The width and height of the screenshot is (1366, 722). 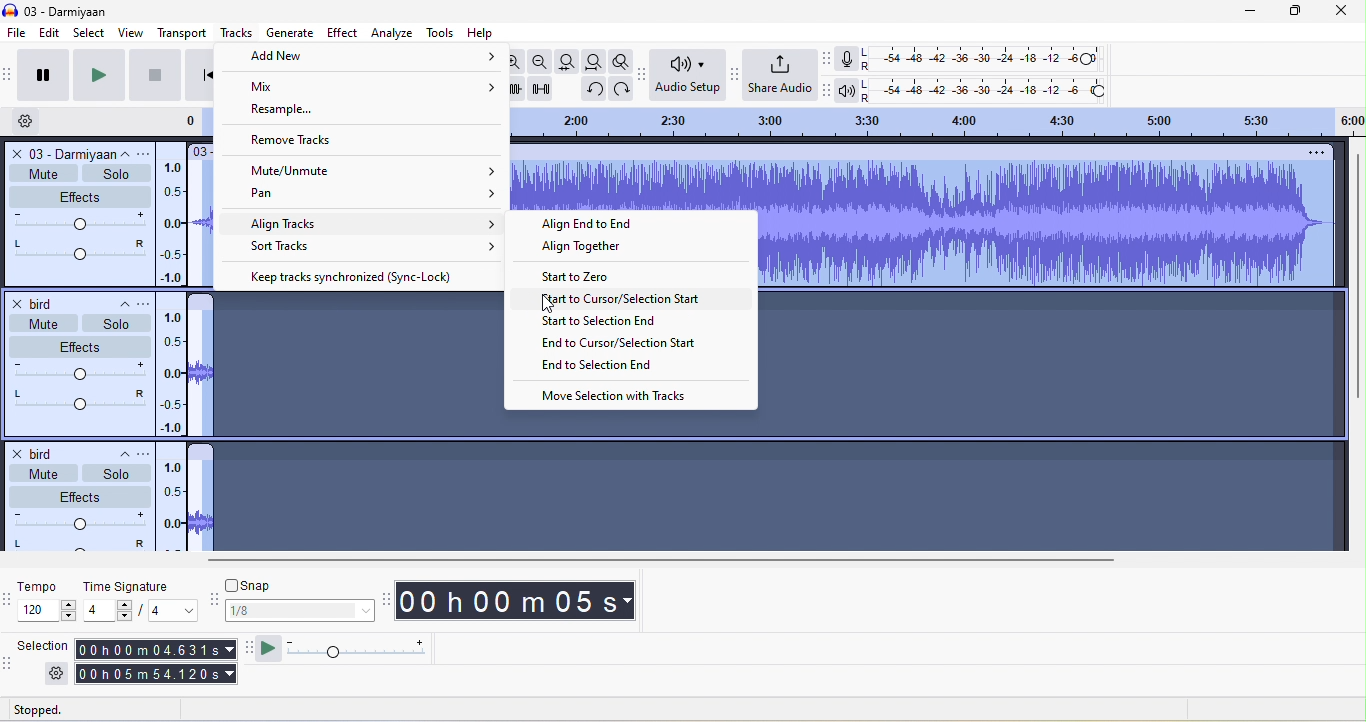 What do you see at coordinates (597, 368) in the screenshot?
I see `end to selection end` at bounding box center [597, 368].